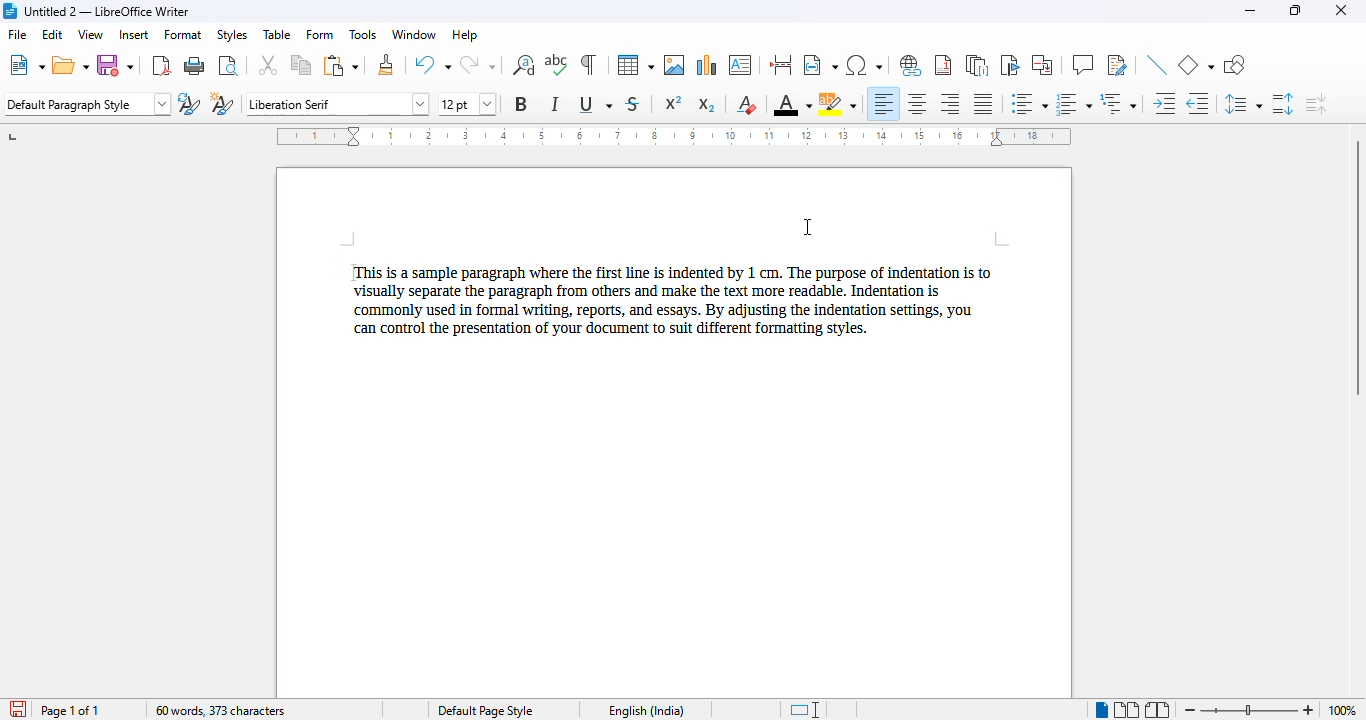 This screenshot has width=1366, height=720. I want to click on styles, so click(231, 34).